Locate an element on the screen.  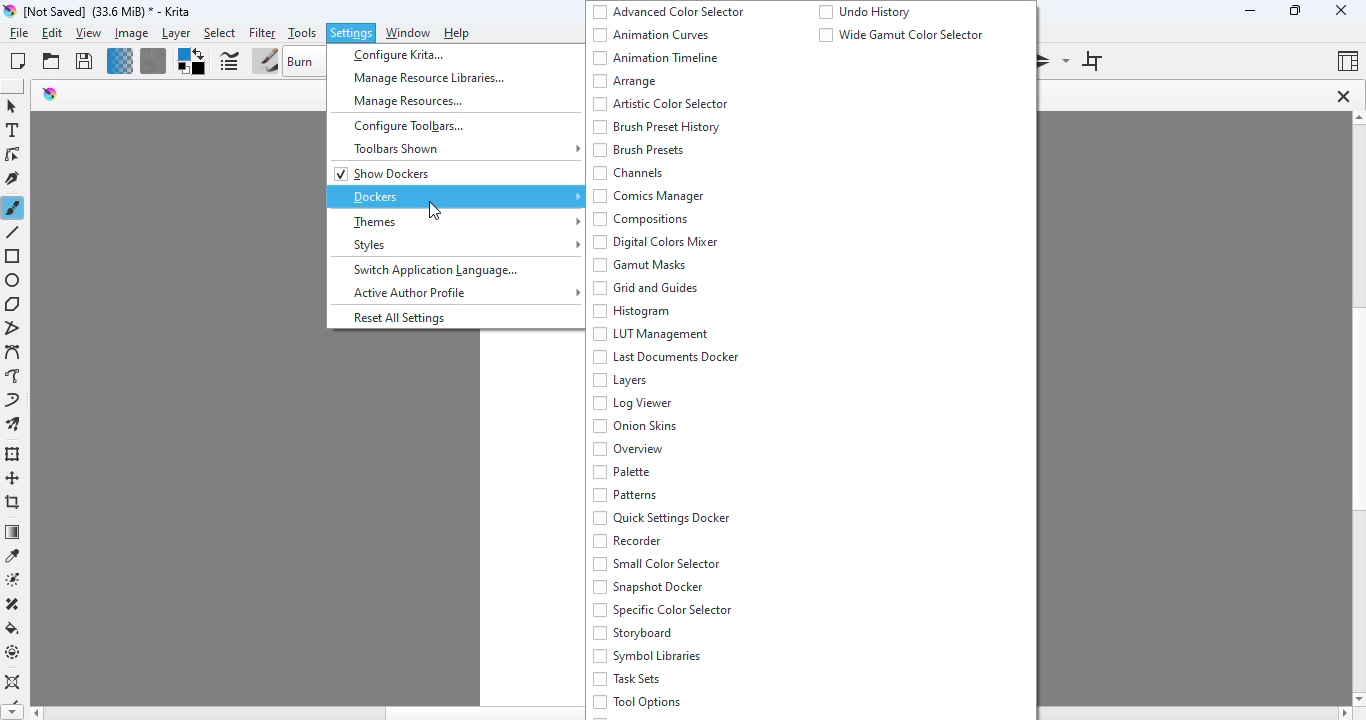
line tool is located at coordinates (15, 232).